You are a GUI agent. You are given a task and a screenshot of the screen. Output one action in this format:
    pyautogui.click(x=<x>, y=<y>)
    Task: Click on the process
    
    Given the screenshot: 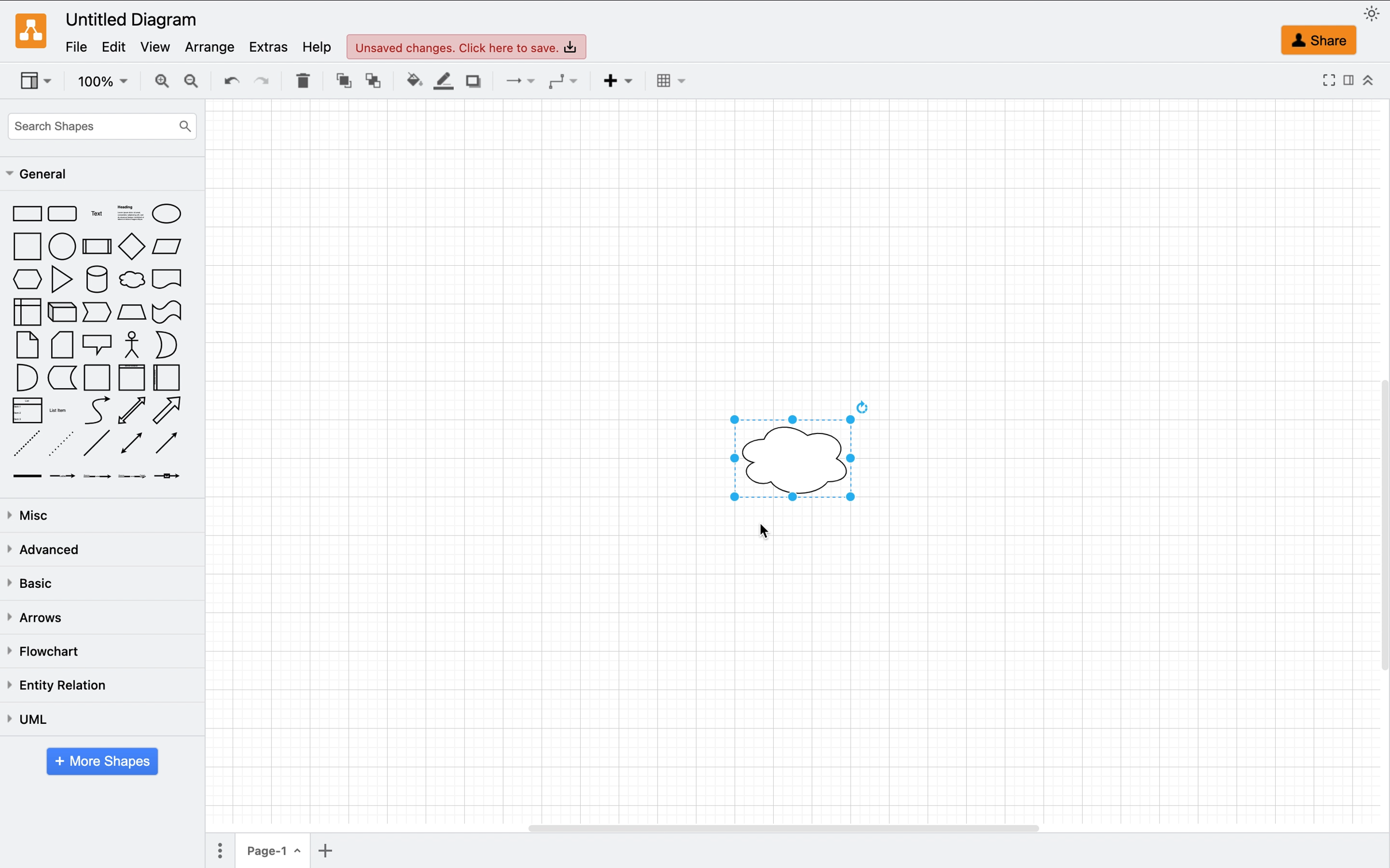 What is the action you would take?
    pyautogui.click(x=97, y=245)
    